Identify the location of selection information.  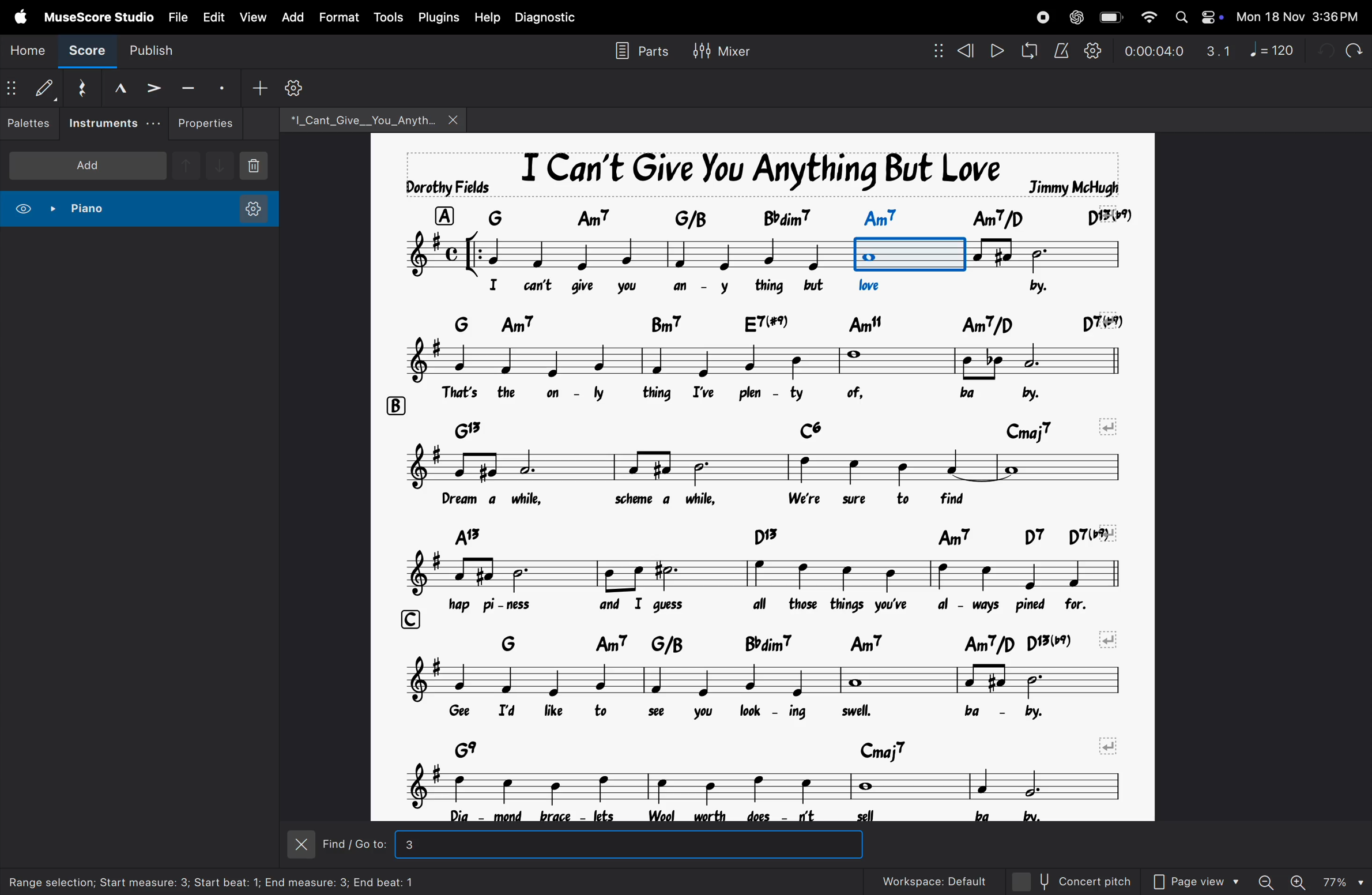
(216, 881).